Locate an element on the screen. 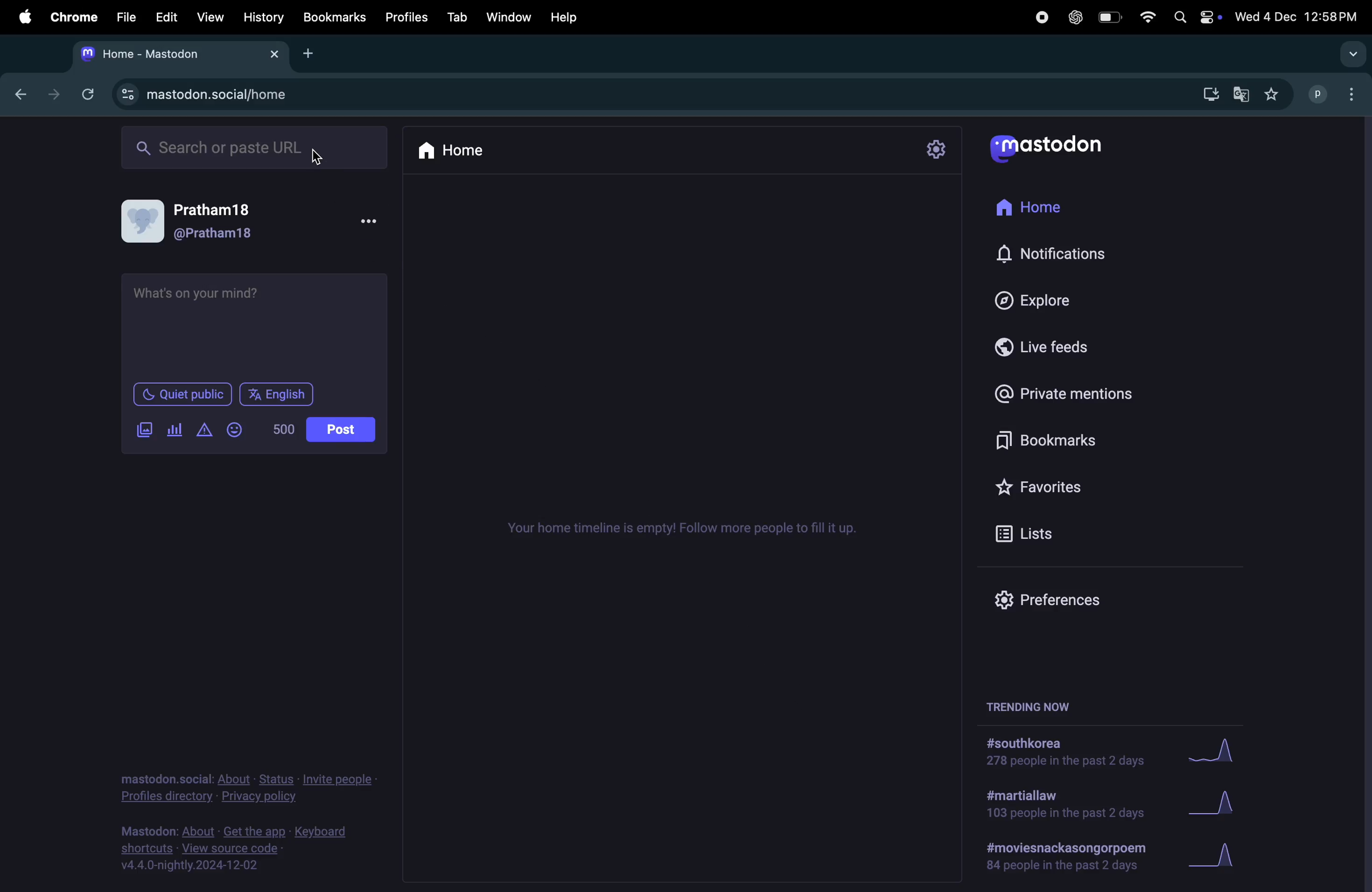 This screenshot has height=892, width=1372. notification is located at coordinates (1053, 255).